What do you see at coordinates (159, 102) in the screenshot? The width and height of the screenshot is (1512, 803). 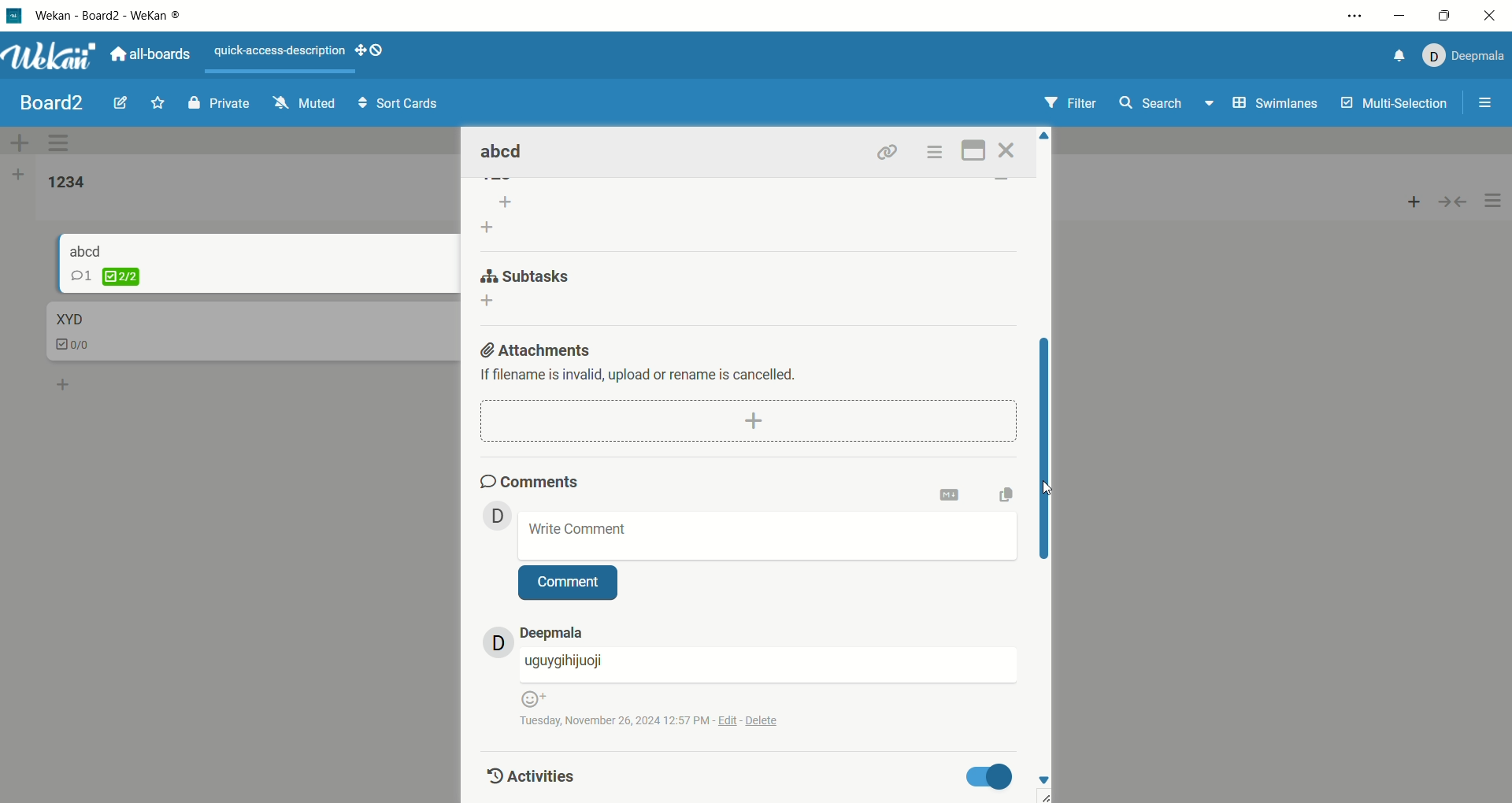 I see `favorite` at bounding box center [159, 102].